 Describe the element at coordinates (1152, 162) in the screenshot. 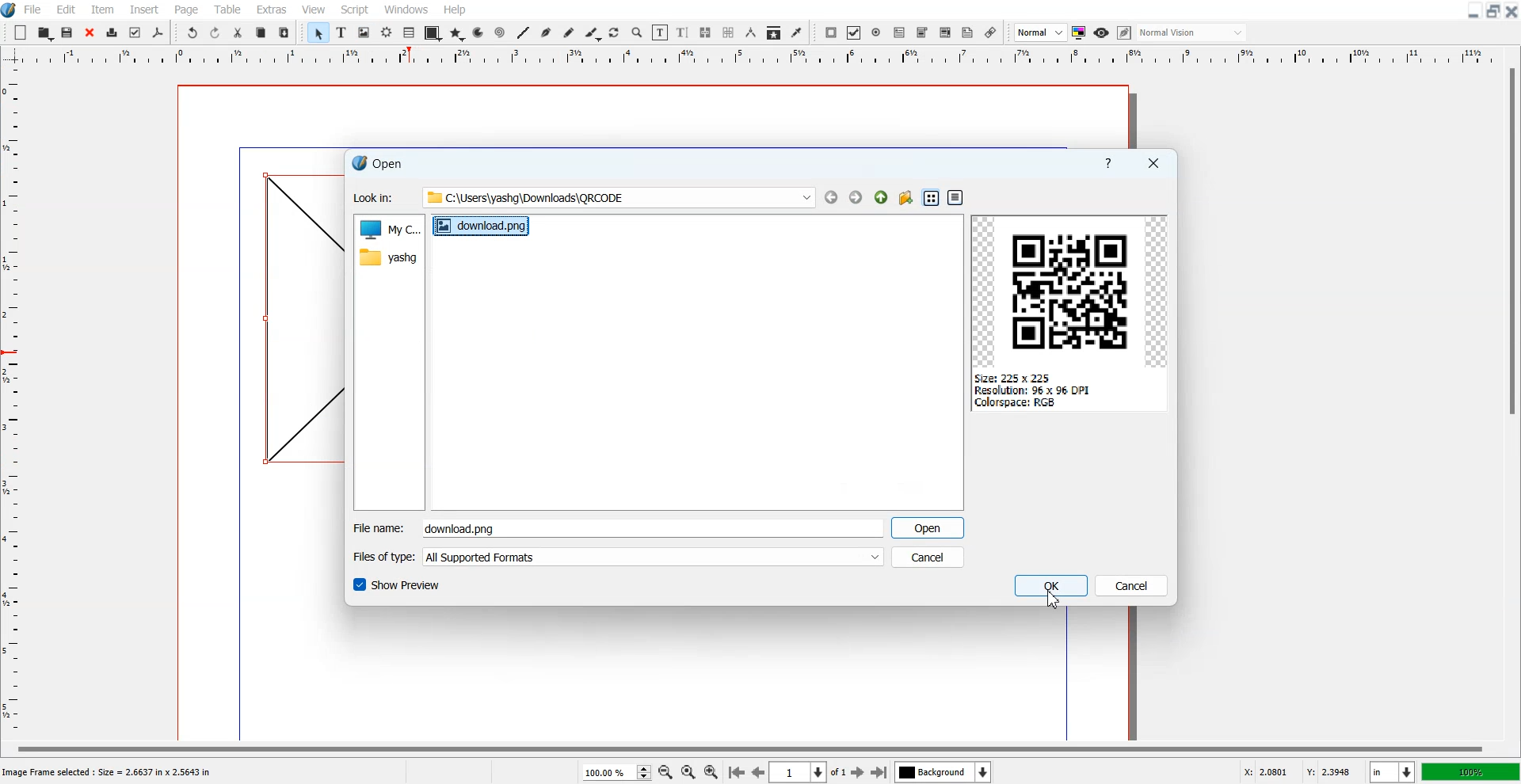

I see `Close` at that location.